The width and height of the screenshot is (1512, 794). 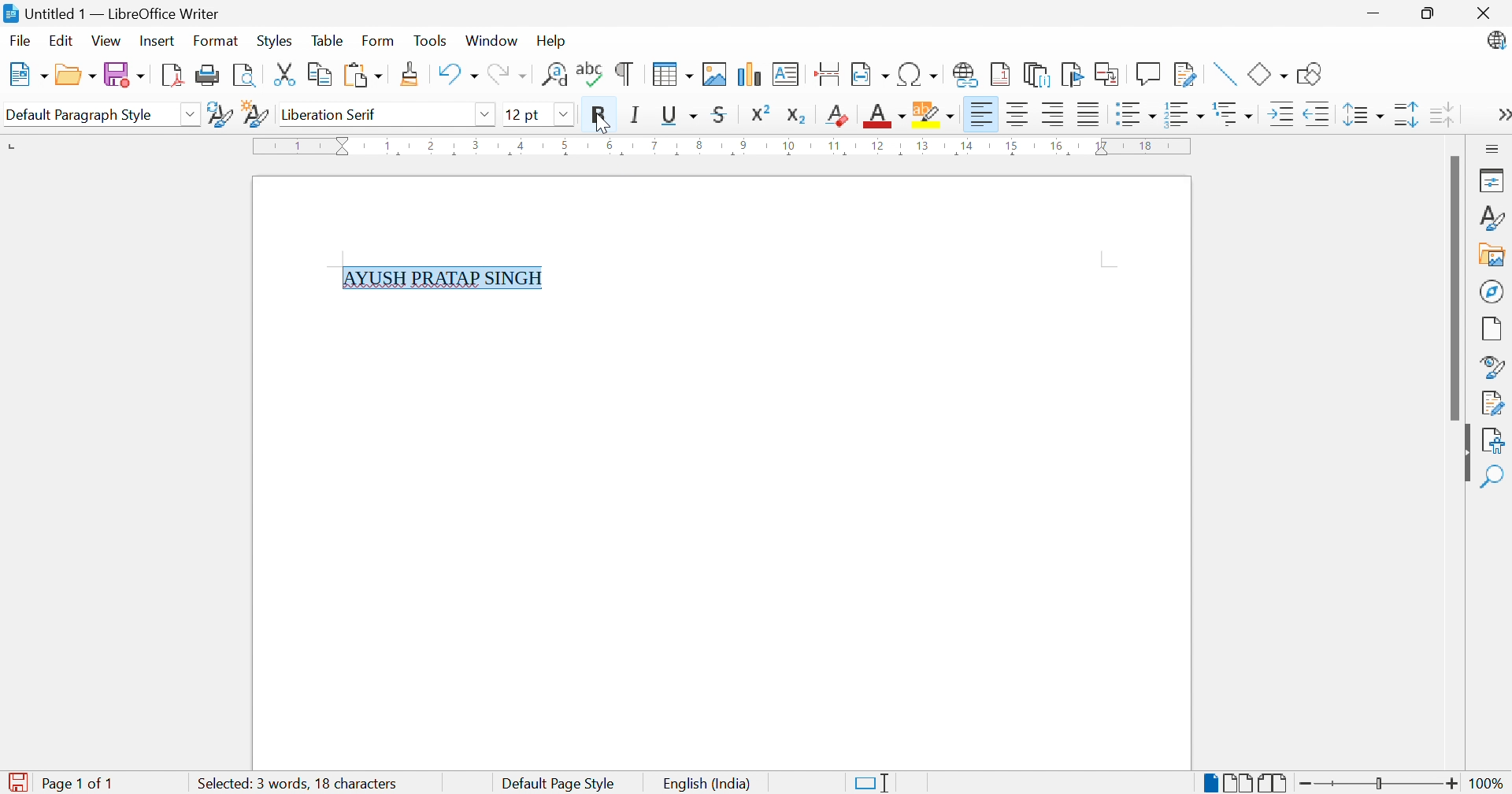 I want to click on New, so click(x=26, y=74).